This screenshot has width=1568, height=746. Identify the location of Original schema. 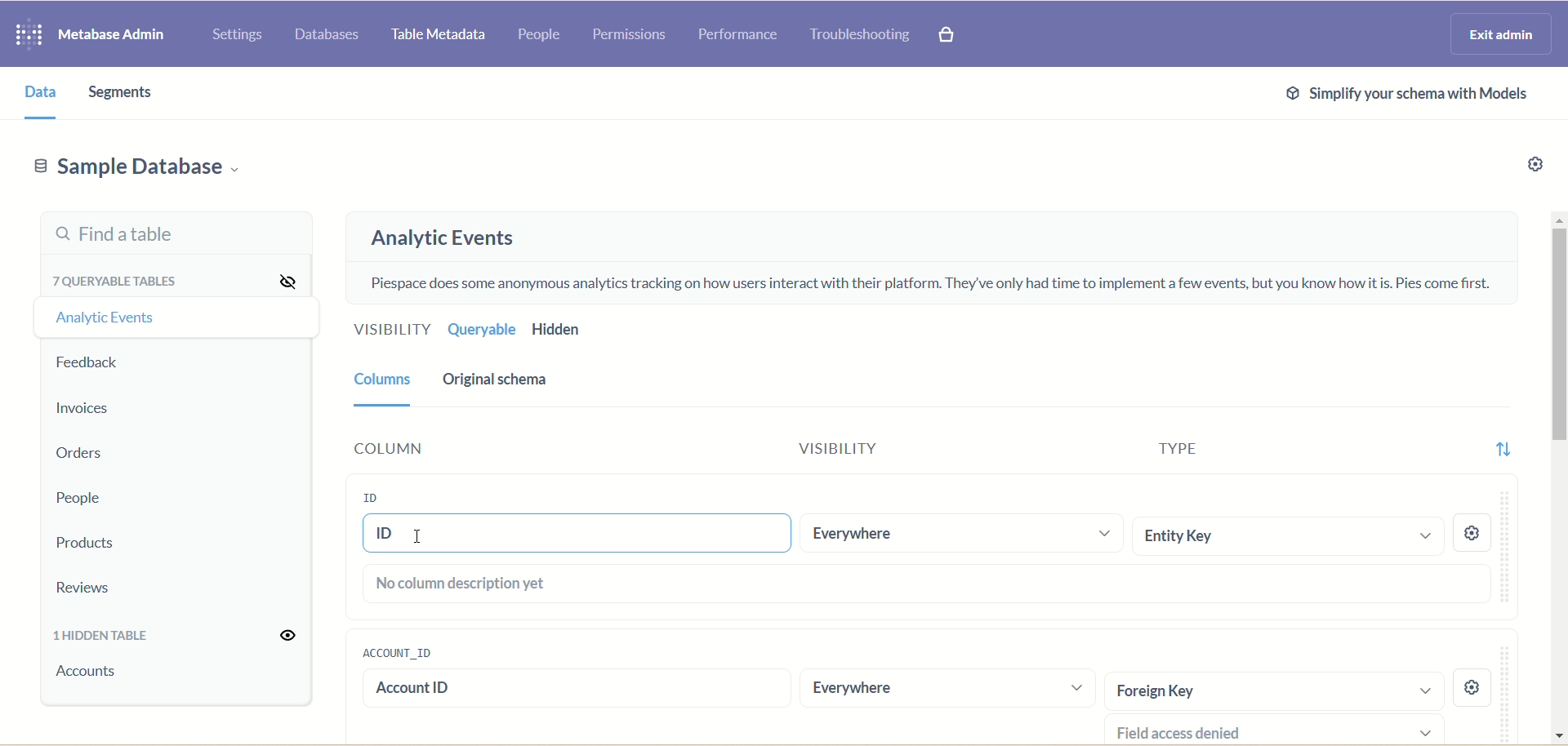
(533, 380).